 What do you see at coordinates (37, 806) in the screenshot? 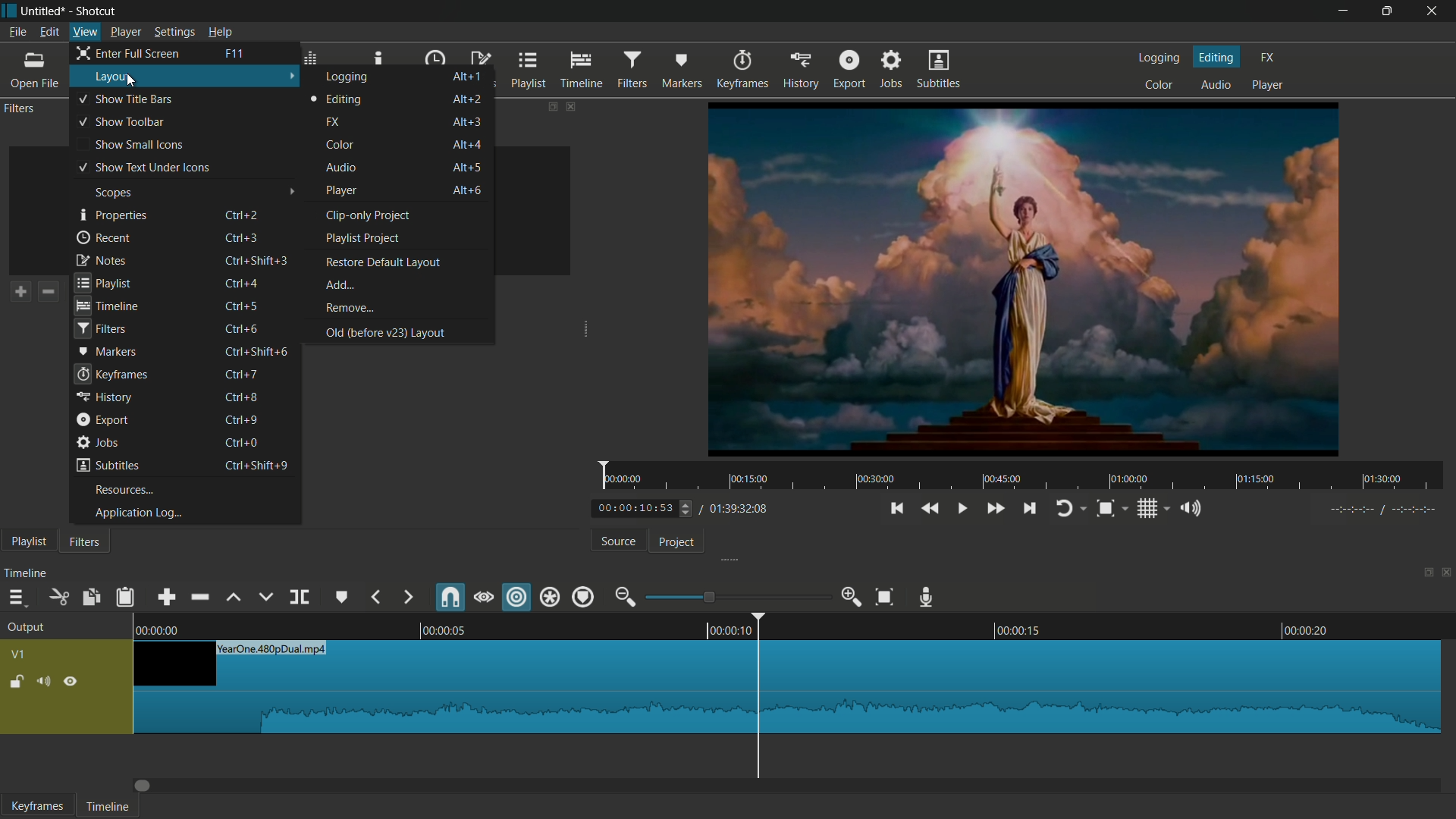
I see `keyframes` at bounding box center [37, 806].